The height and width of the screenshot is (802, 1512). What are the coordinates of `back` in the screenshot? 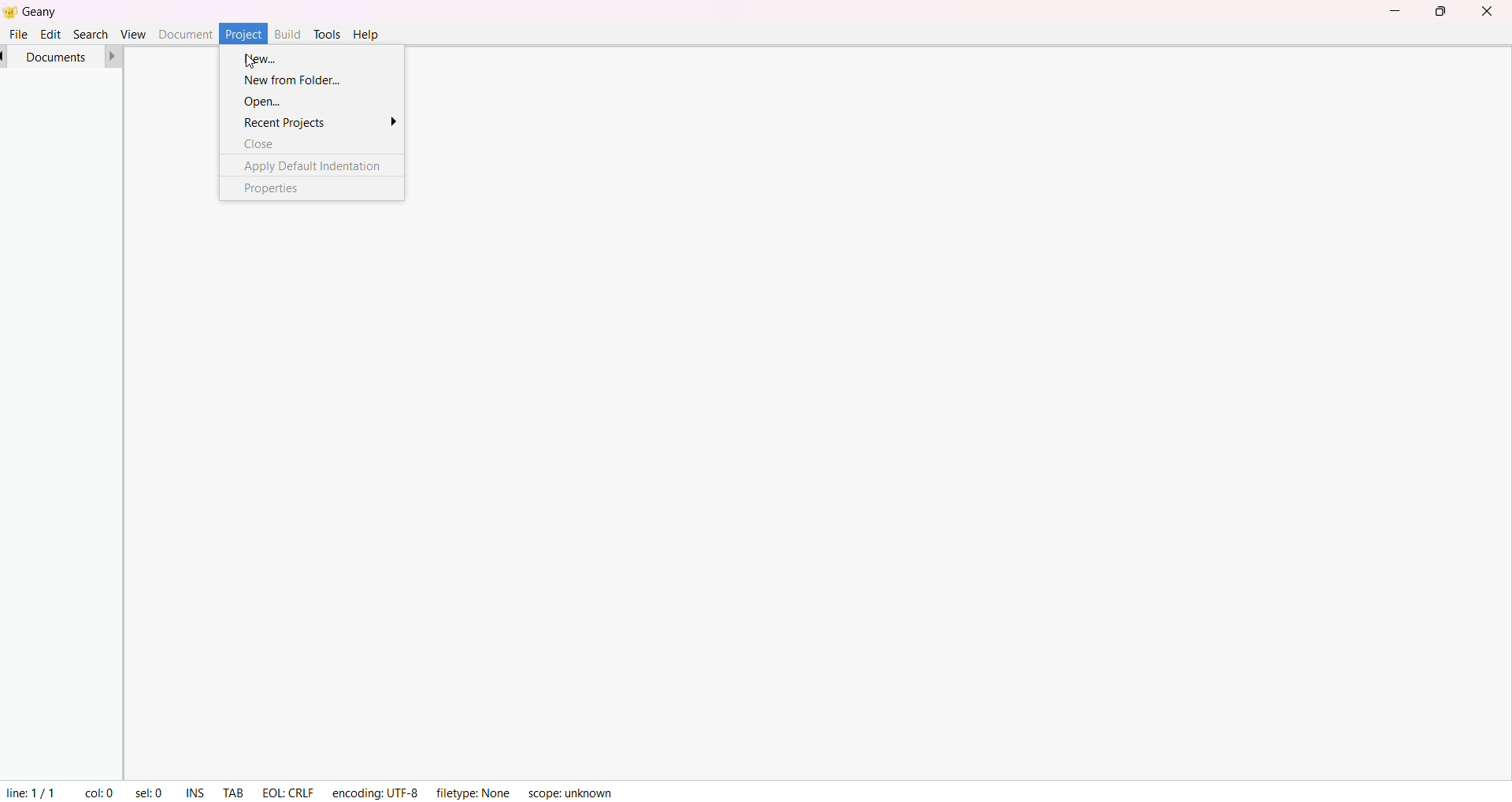 It's located at (5, 56).